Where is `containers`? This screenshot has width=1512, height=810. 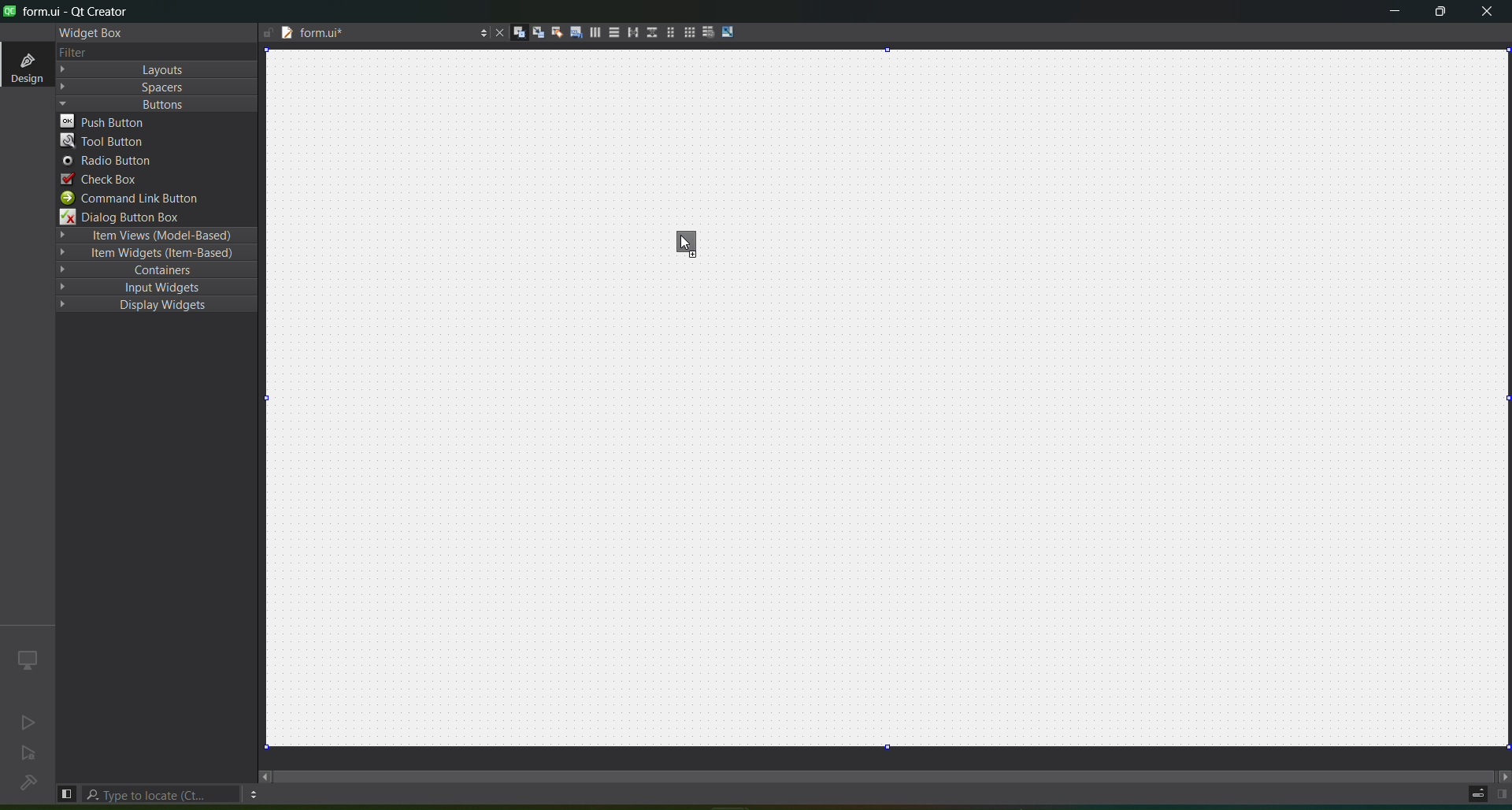
containers is located at coordinates (157, 272).